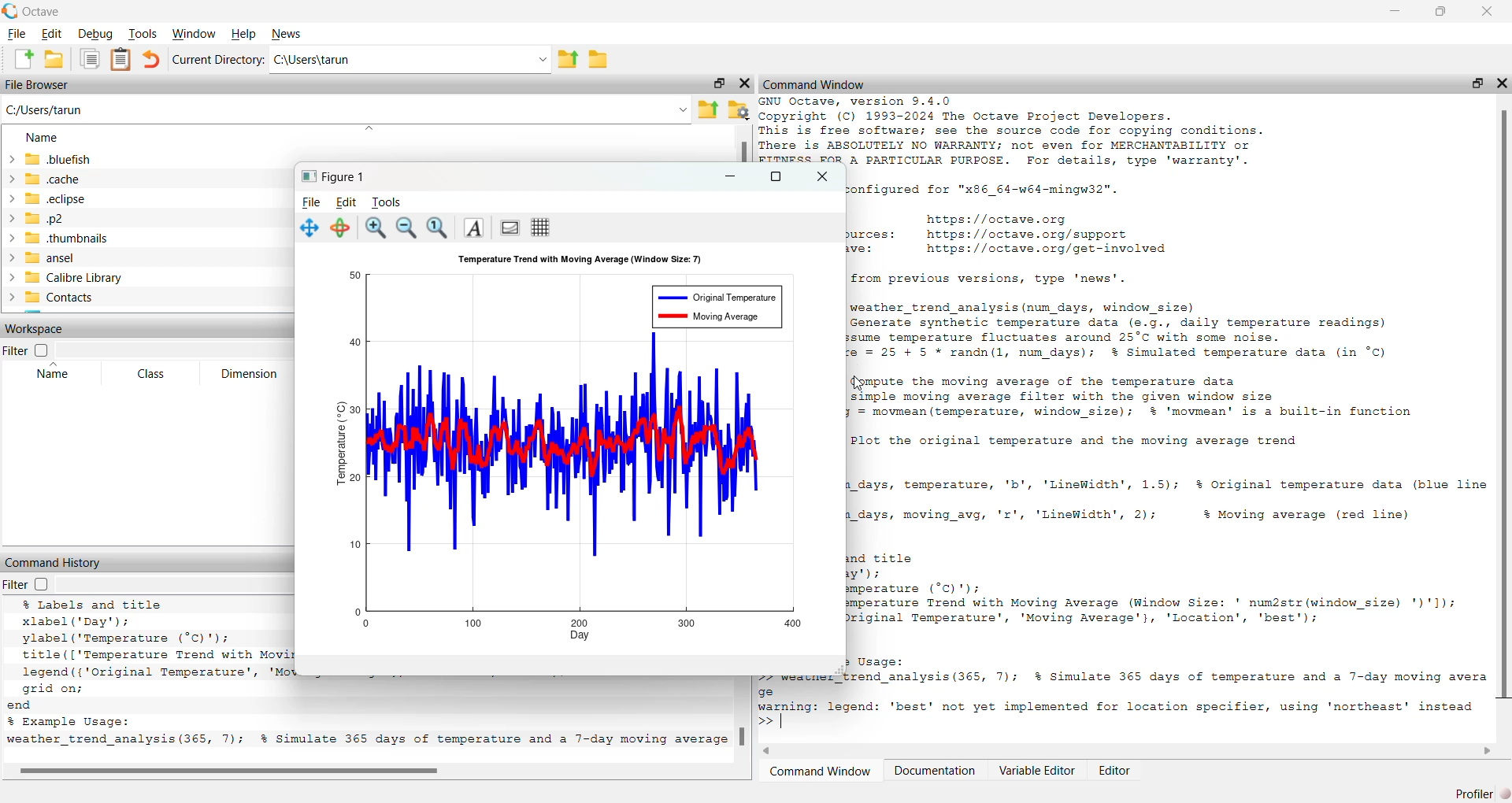  Describe the element at coordinates (333, 179) in the screenshot. I see `Figure1` at that location.